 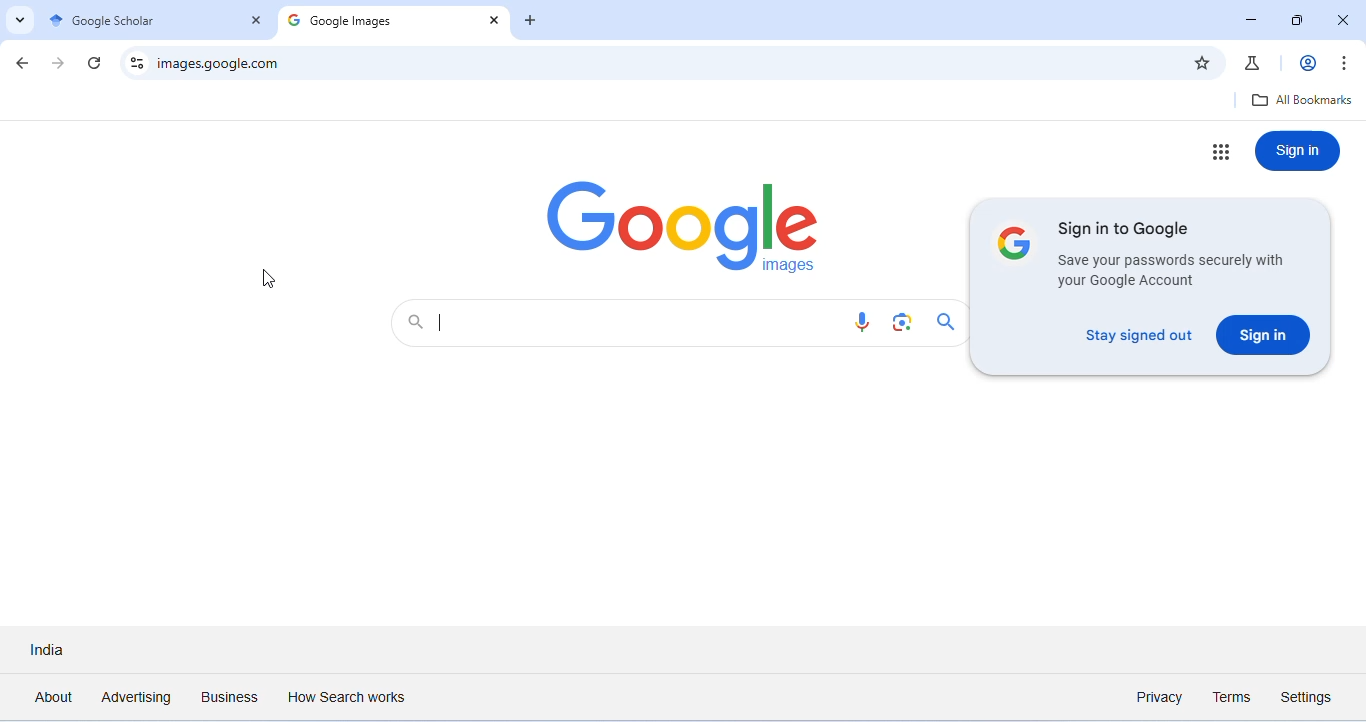 I want to click on sign in, so click(x=1262, y=336).